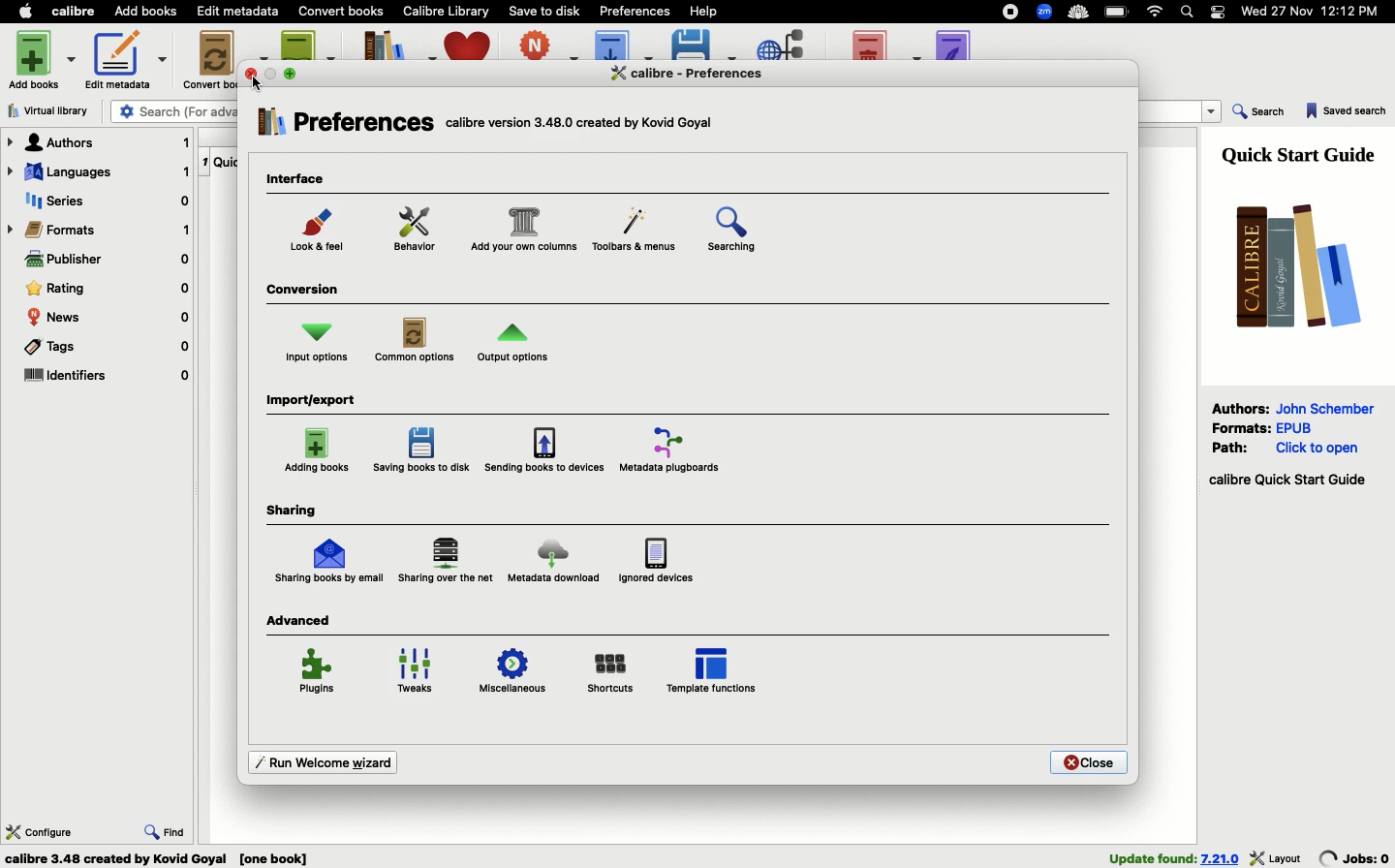 The height and width of the screenshot is (868, 1395). What do you see at coordinates (319, 450) in the screenshot?
I see `Adding books` at bounding box center [319, 450].